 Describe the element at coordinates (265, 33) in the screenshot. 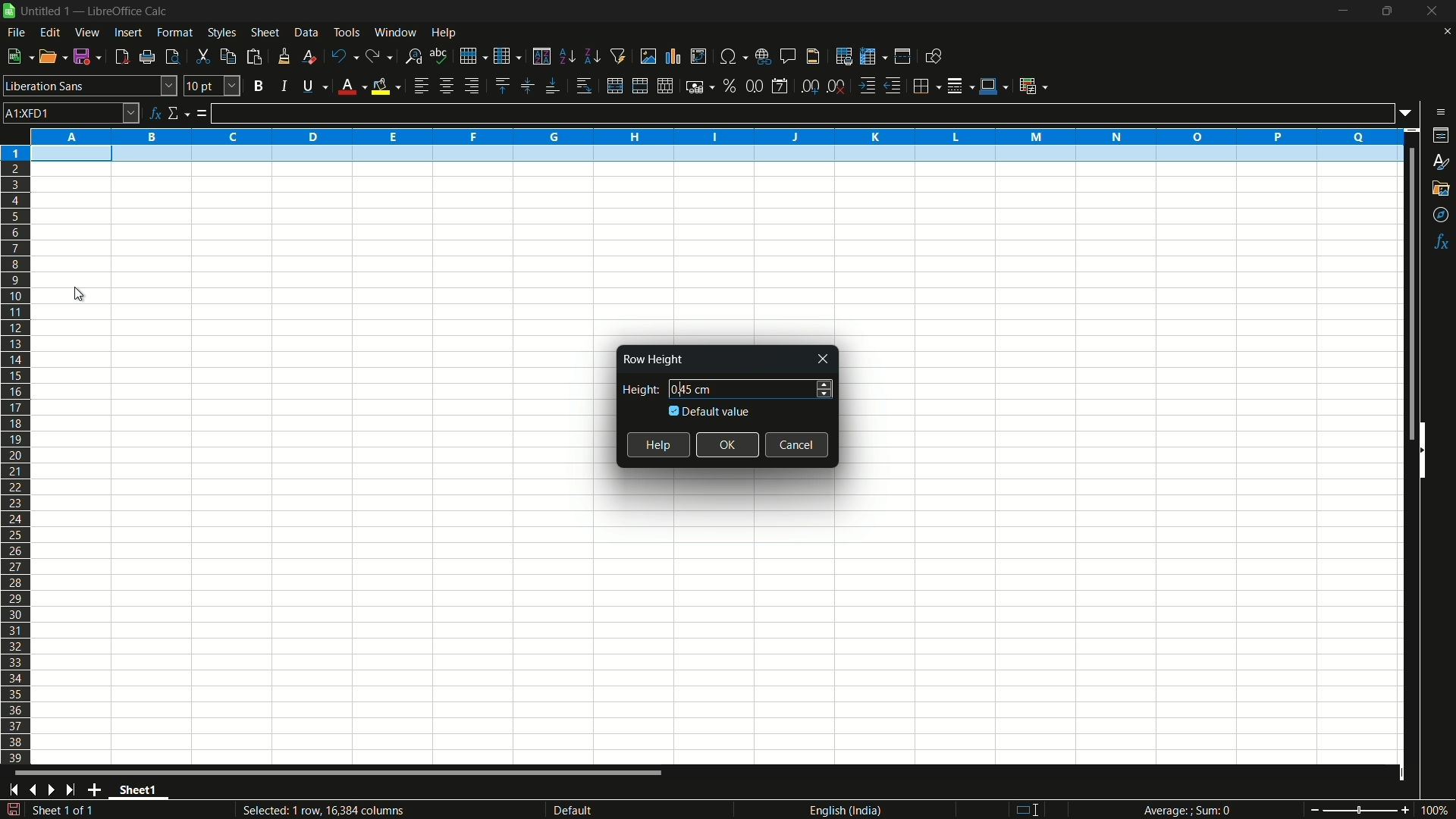

I see `sheet menu` at that location.